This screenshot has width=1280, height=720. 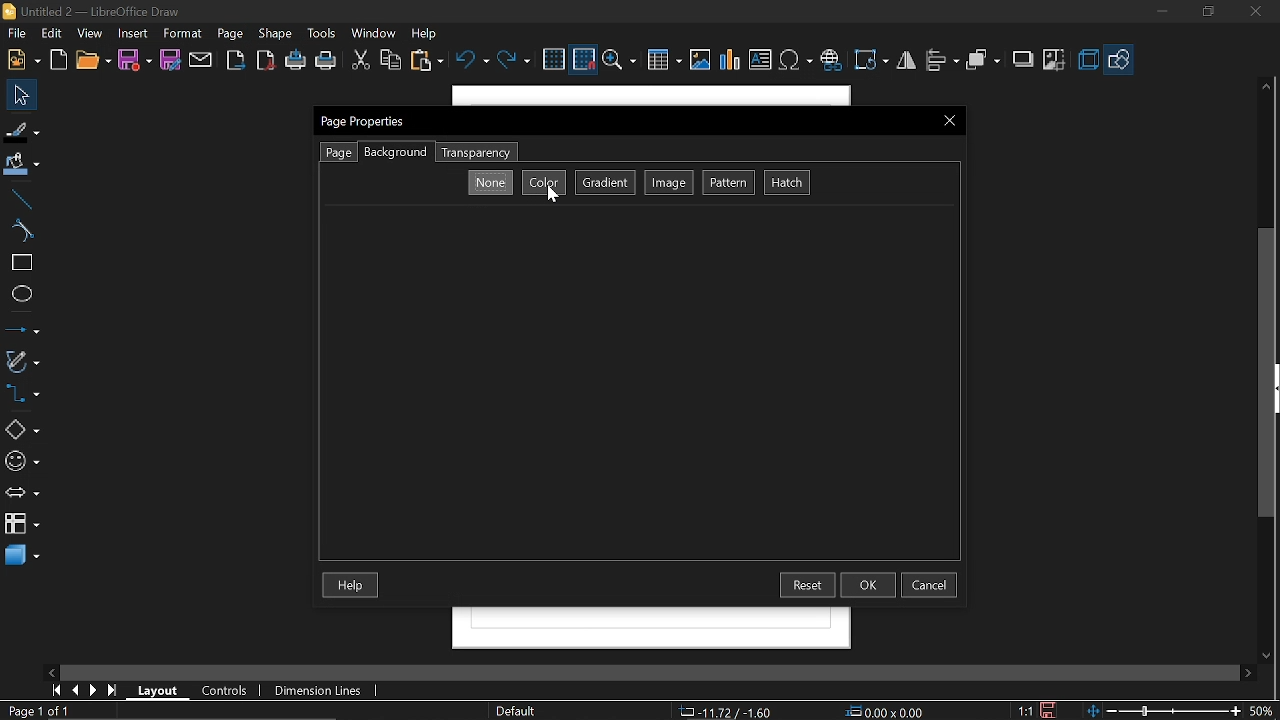 I want to click on Insert, so click(x=134, y=34).